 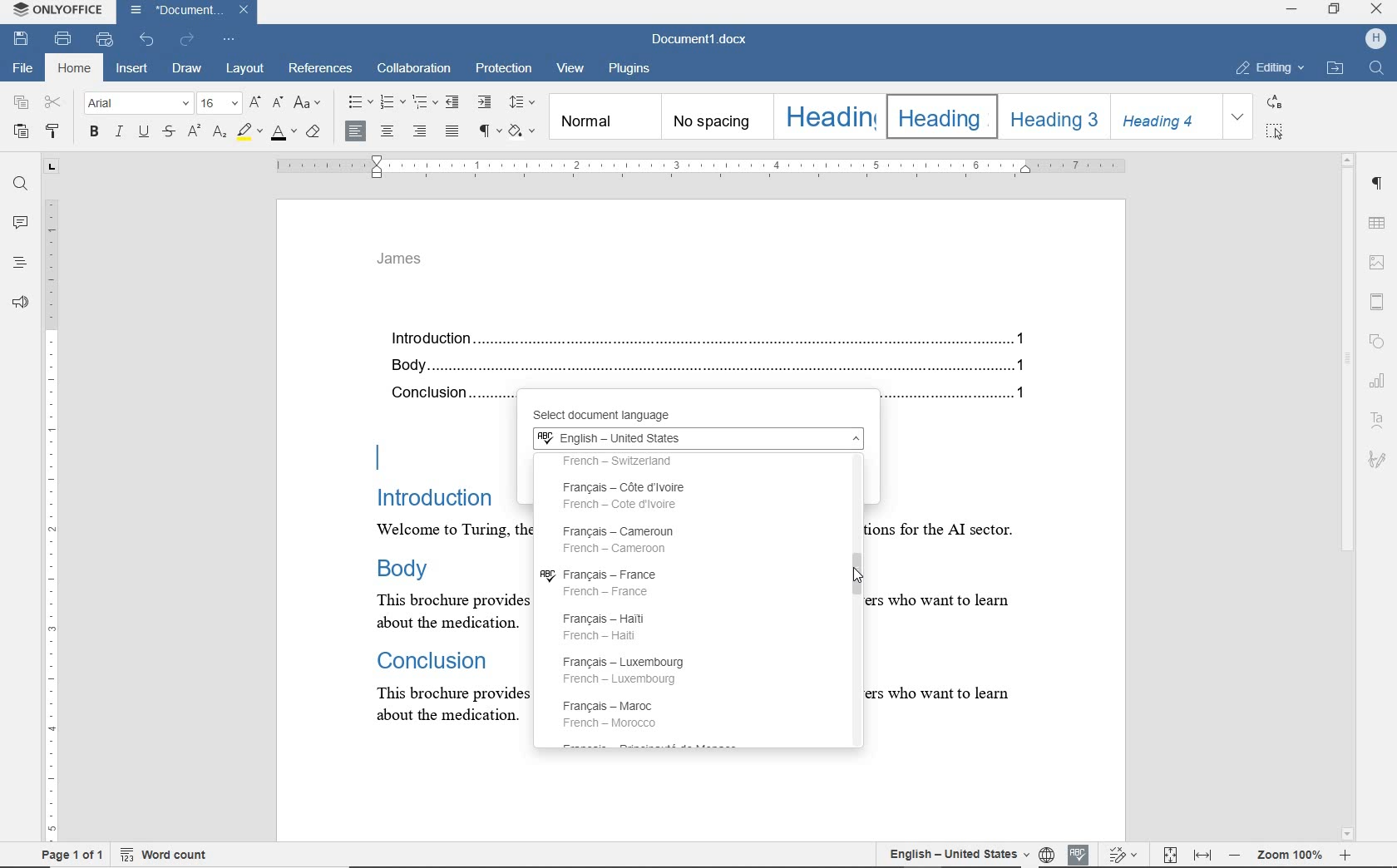 I want to click on bold, so click(x=93, y=133).